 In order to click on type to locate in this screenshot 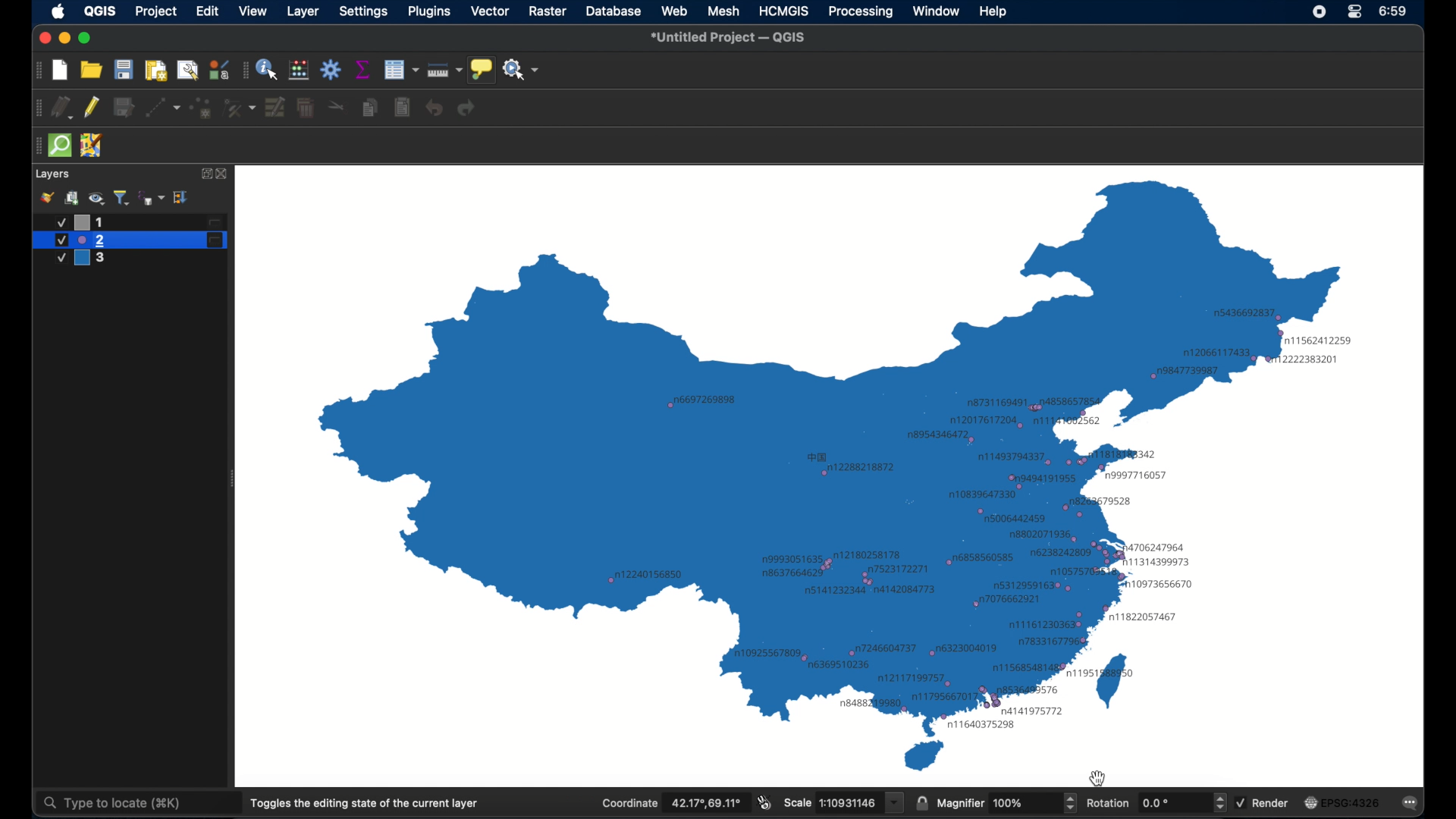, I will do `click(110, 804)`.